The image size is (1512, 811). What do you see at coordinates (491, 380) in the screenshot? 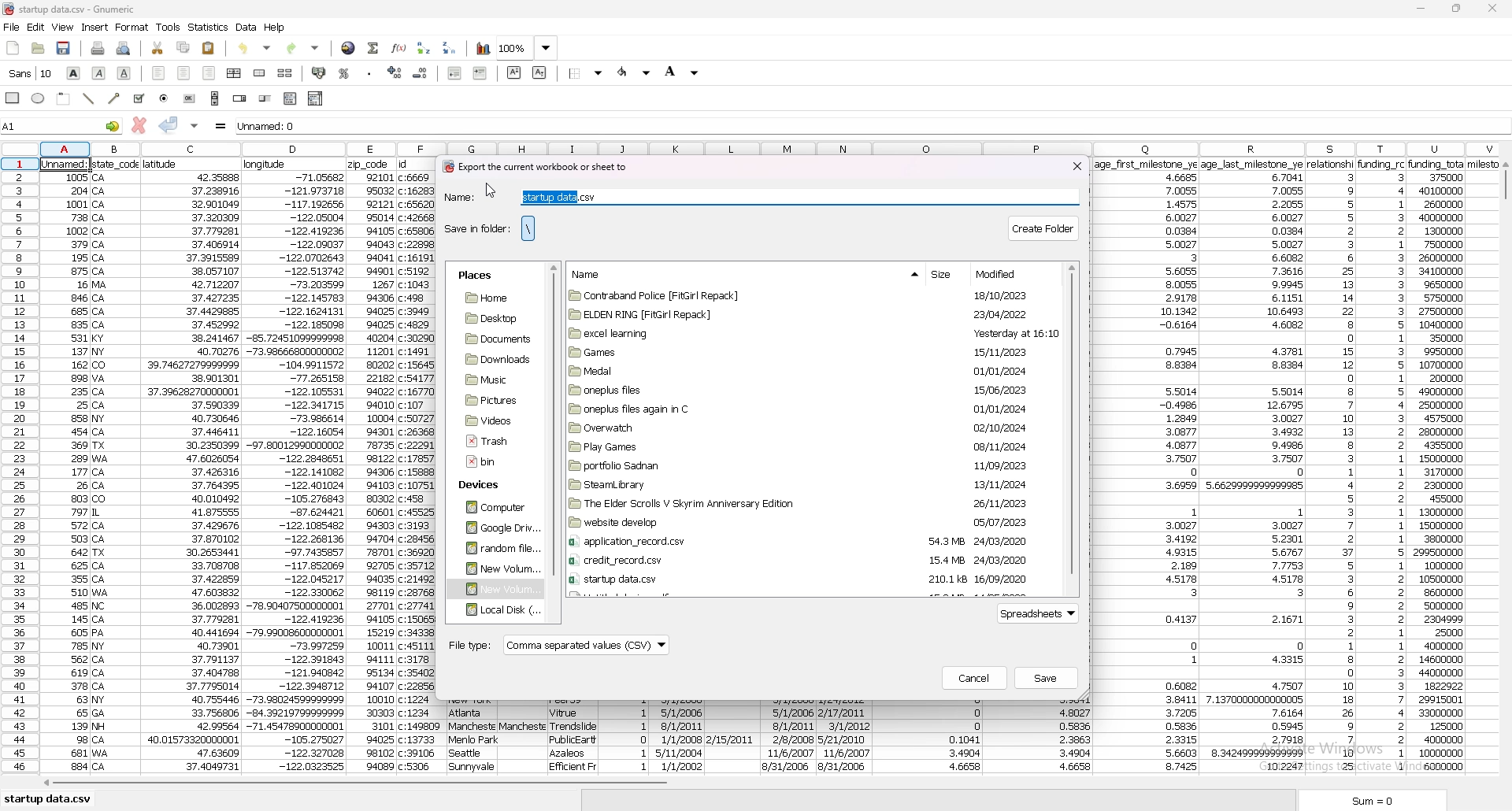
I see `folder` at bounding box center [491, 380].